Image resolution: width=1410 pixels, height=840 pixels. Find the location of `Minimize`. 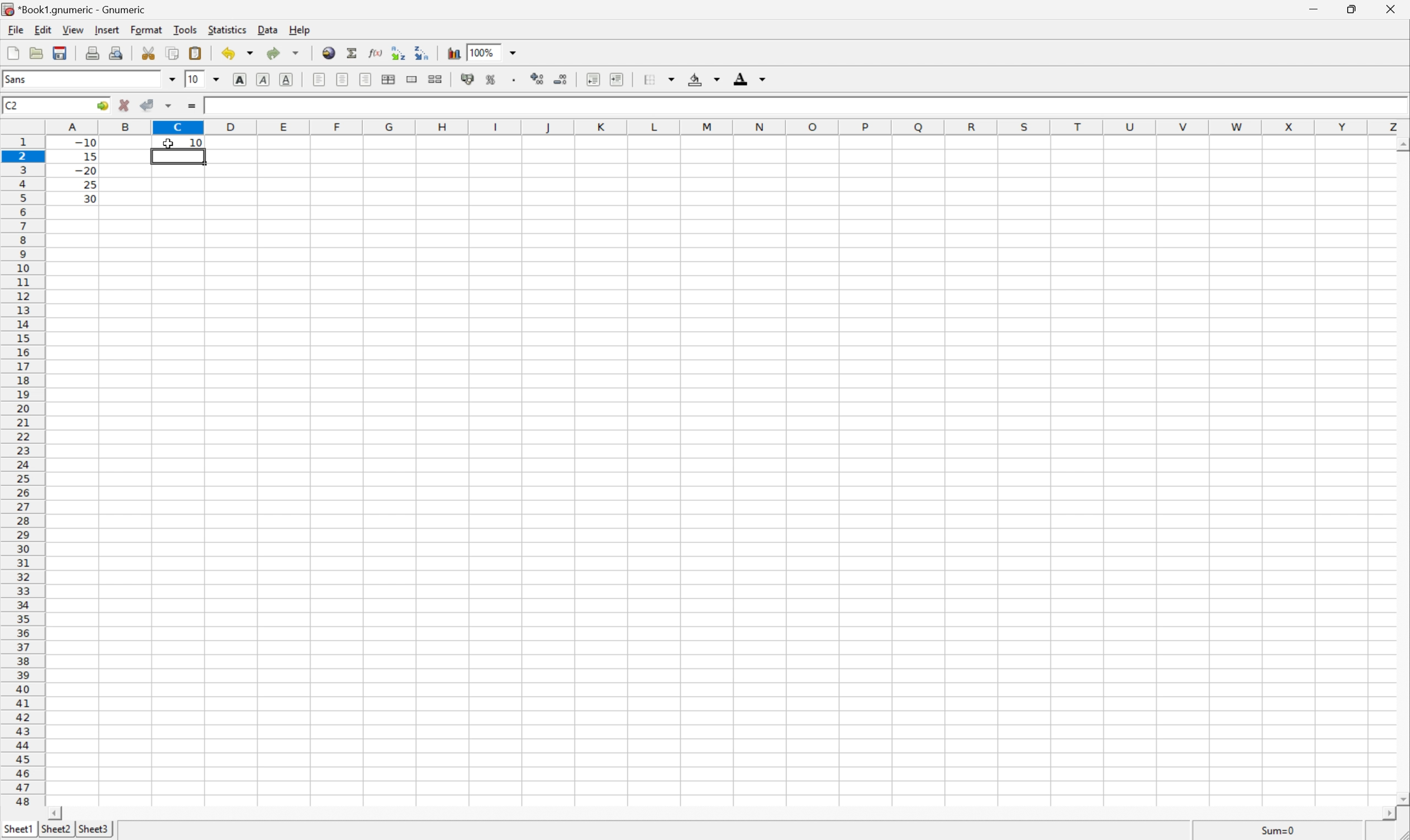

Minimize is located at coordinates (1315, 8).